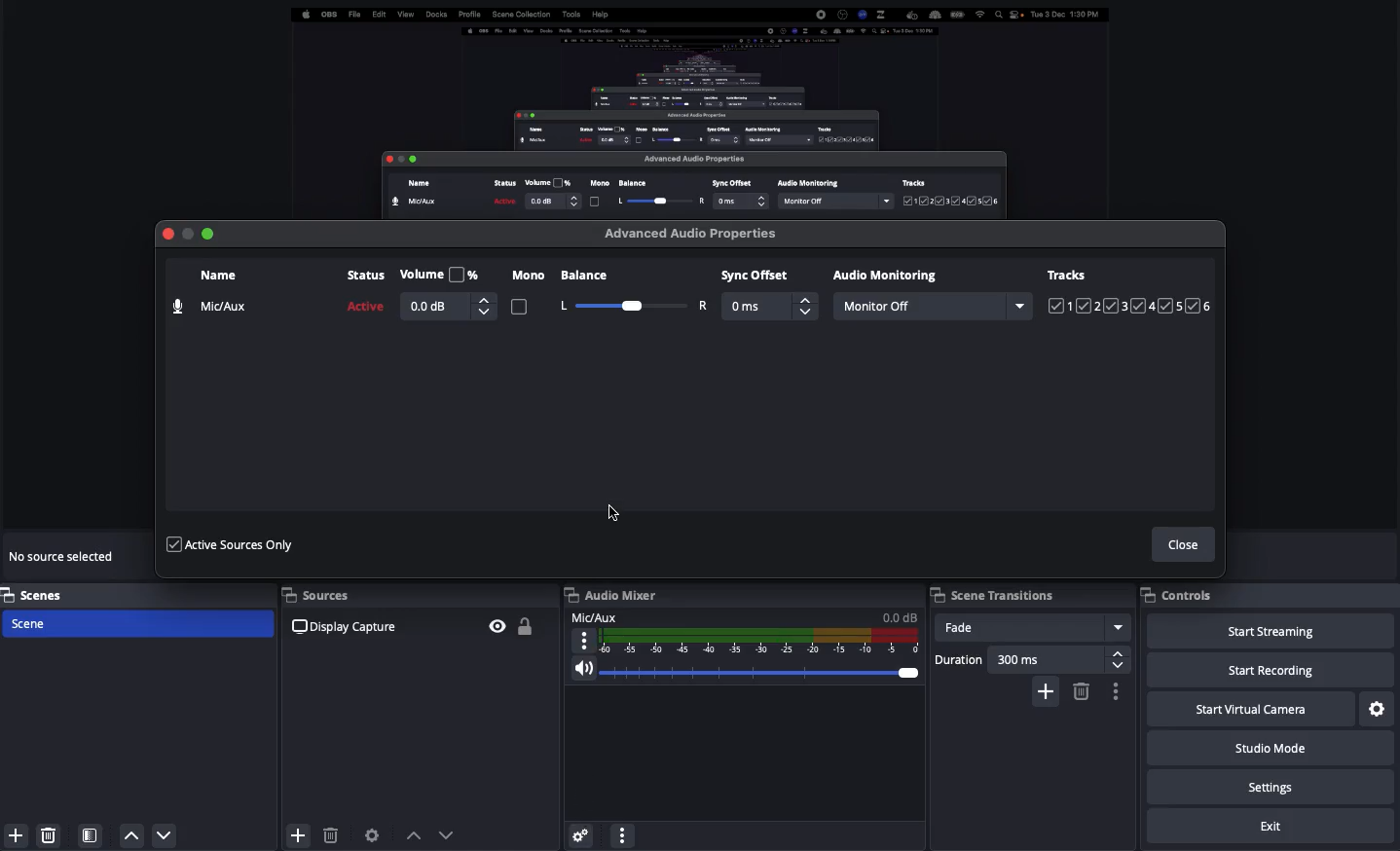  Describe the element at coordinates (1050, 693) in the screenshot. I see `Add` at that location.